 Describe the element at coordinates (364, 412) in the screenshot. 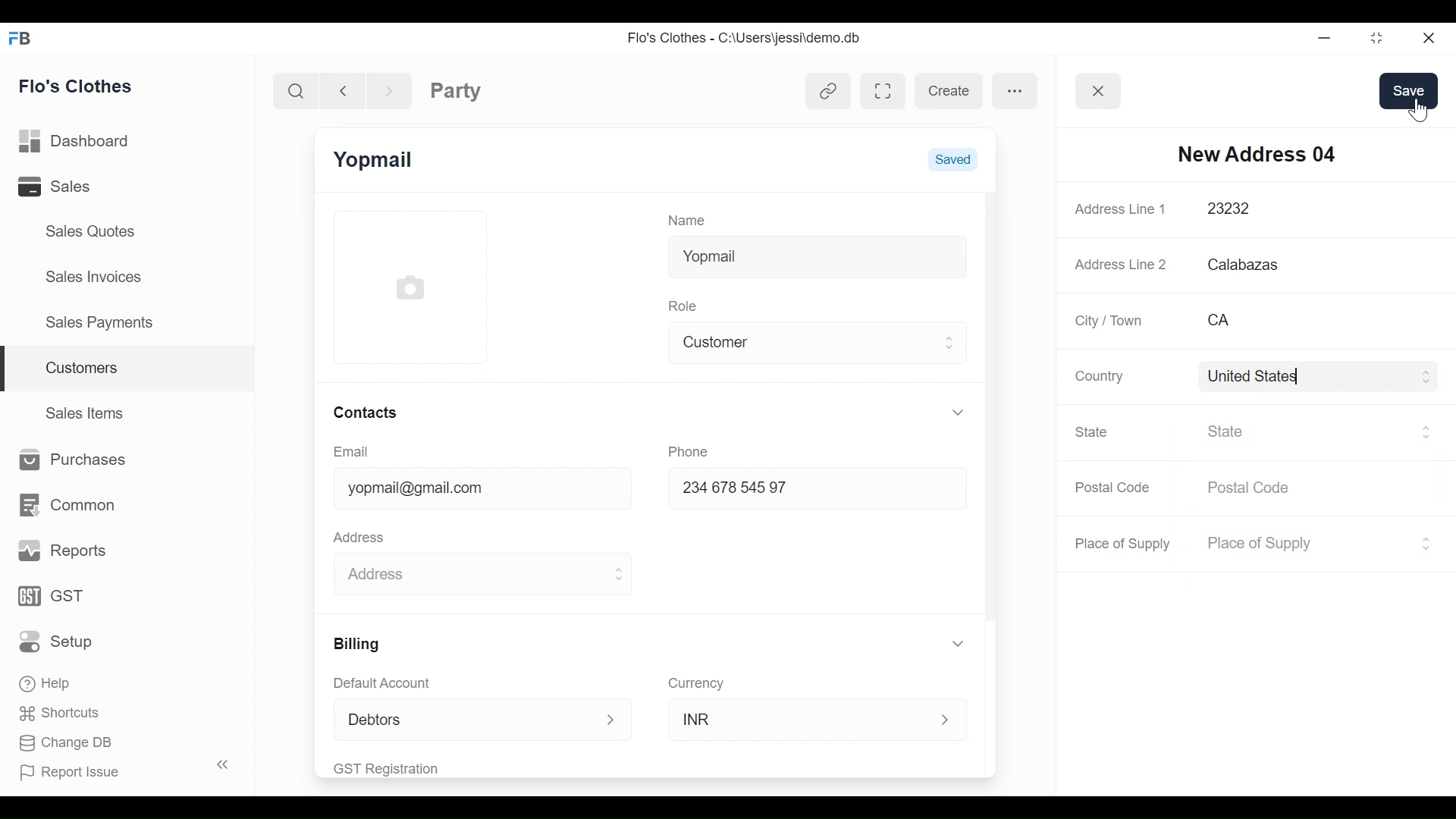

I see `Contacts` at that location.